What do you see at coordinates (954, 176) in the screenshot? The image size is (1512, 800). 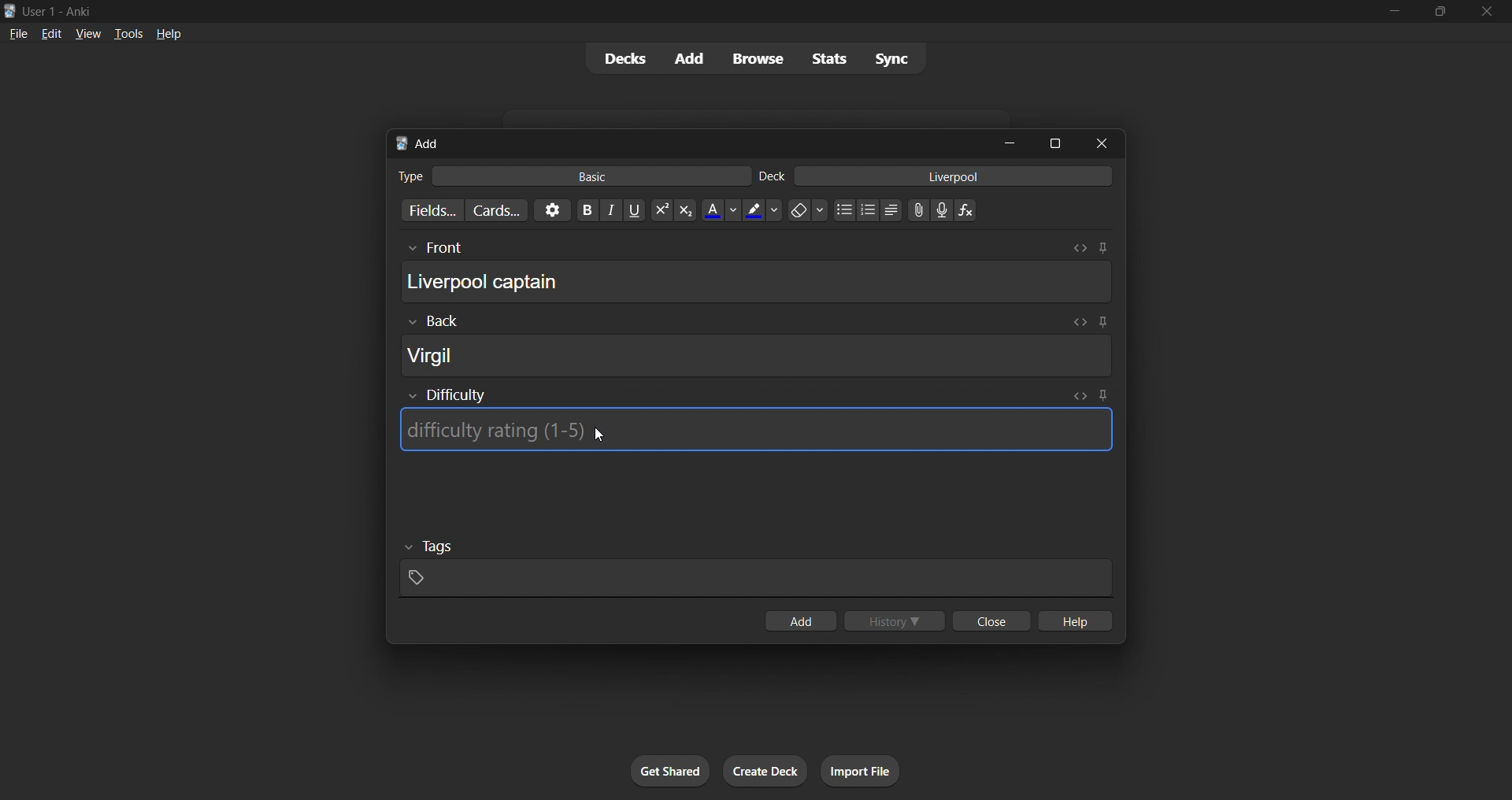 I see `card deck input` at bounding box center [954, 176].